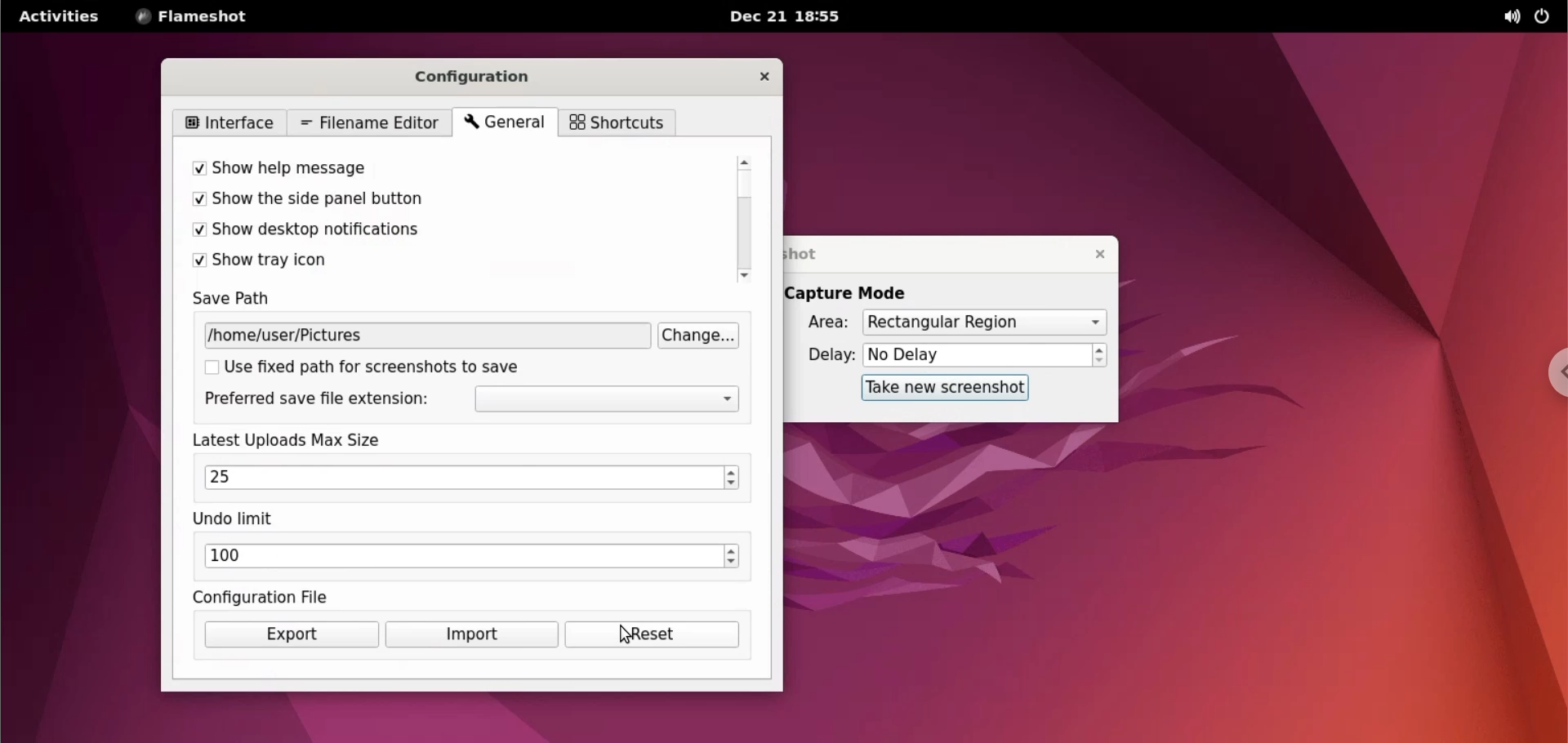 The height and width of the screenshot is (743, 1568). What do you see at coordinates (938, 387) in the screenshot?
I see `take new screenshot` at bounding box center [938, 387].